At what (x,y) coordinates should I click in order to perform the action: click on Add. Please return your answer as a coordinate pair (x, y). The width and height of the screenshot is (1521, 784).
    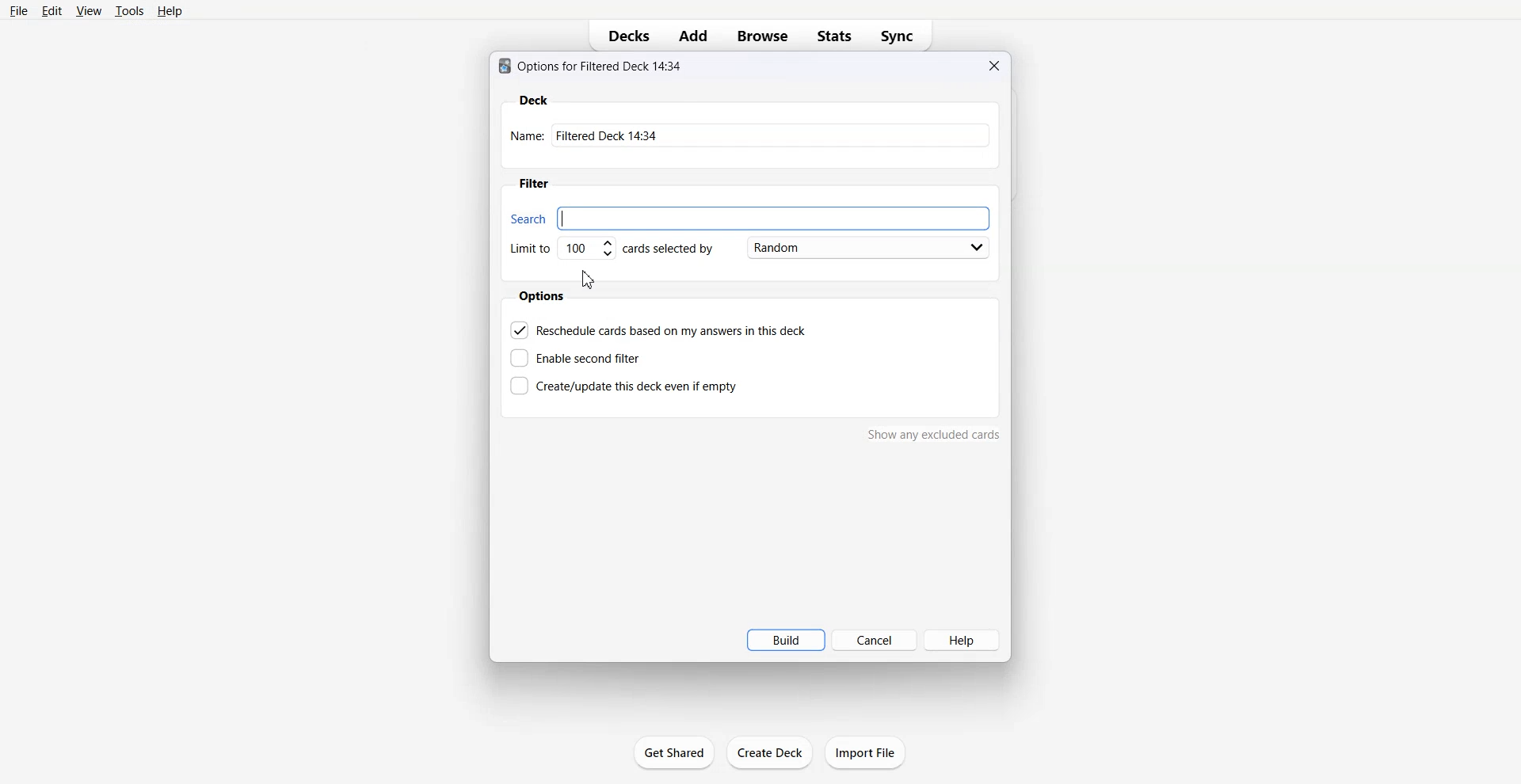
    Looking at the image, I should click on (693, 36).